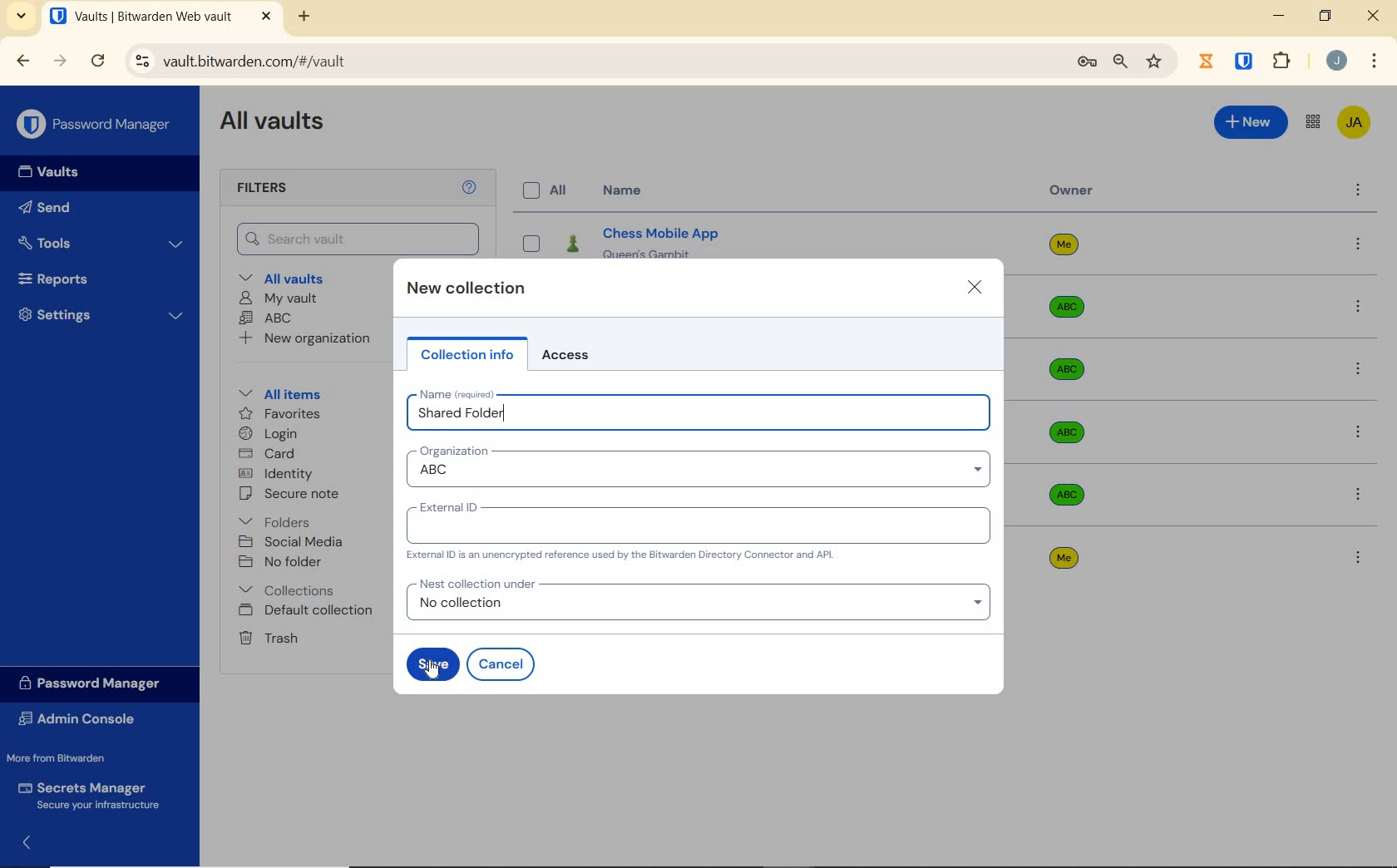 The image size is (1397, 868). What do you see at coordinates (698, 608) in the screenshot?
I see `select nest collection` at bounding box center [698, 608].